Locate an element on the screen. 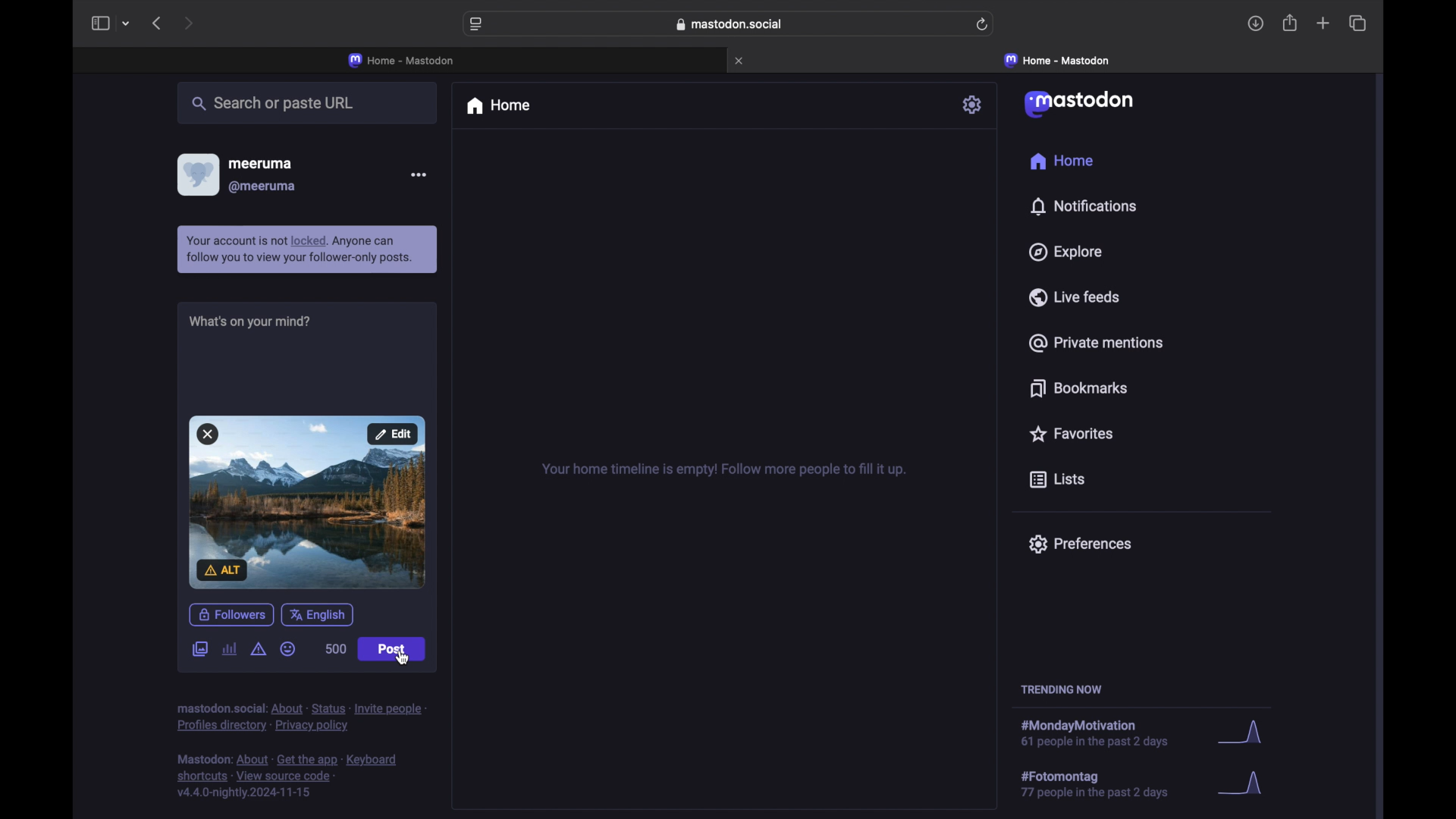 The image size is (1456, 819). bookmarks is located at coordinates (1078, 388).